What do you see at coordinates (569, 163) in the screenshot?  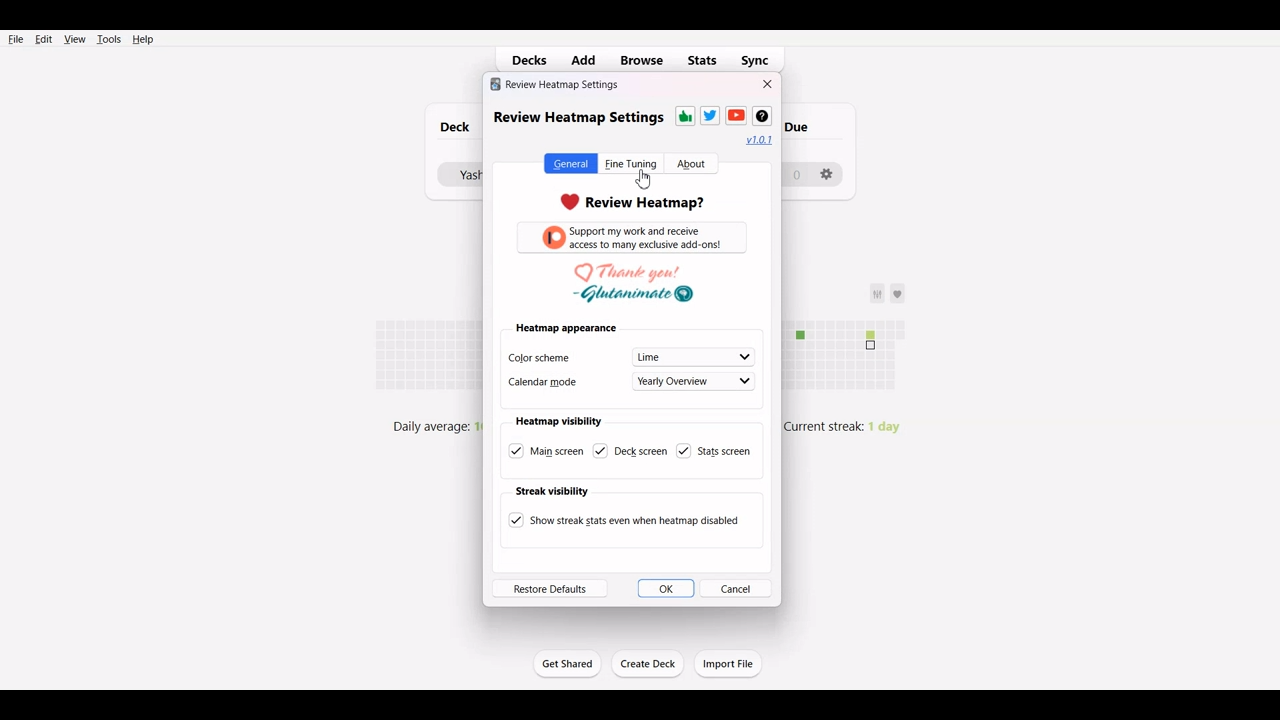 I see `General` at bounding box center [569, 163].